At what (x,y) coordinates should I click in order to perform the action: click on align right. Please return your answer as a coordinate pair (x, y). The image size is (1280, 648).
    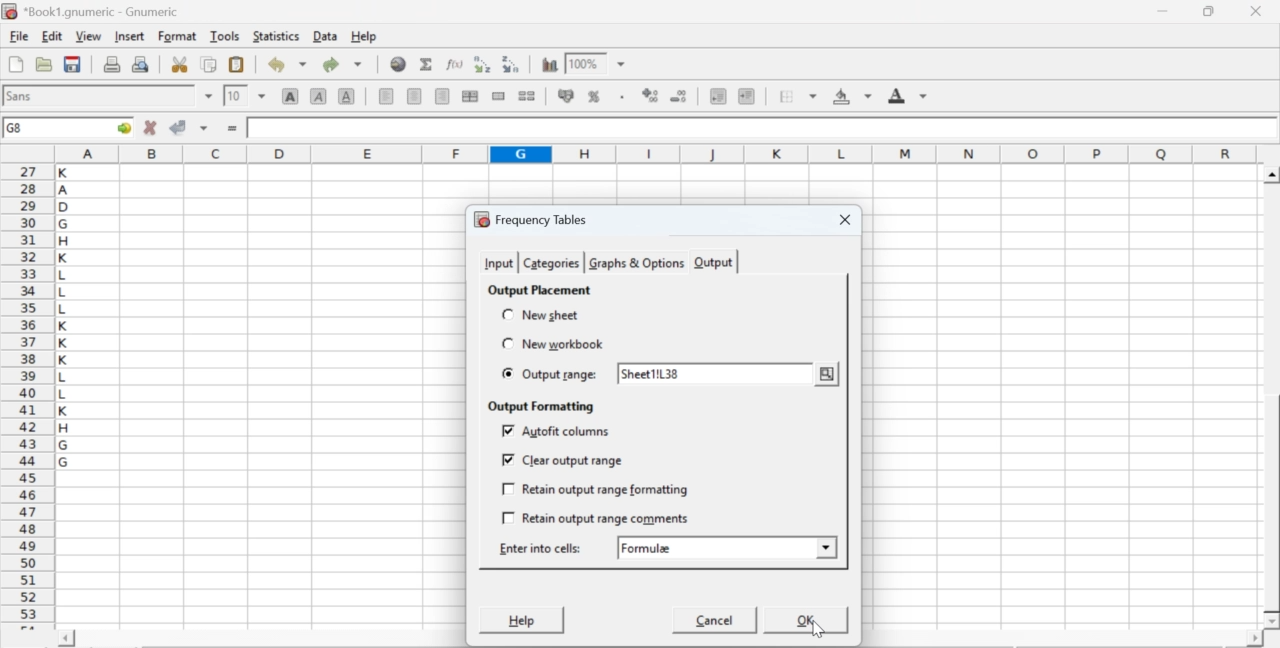
    Looking at the image, I should click on (442, 97).